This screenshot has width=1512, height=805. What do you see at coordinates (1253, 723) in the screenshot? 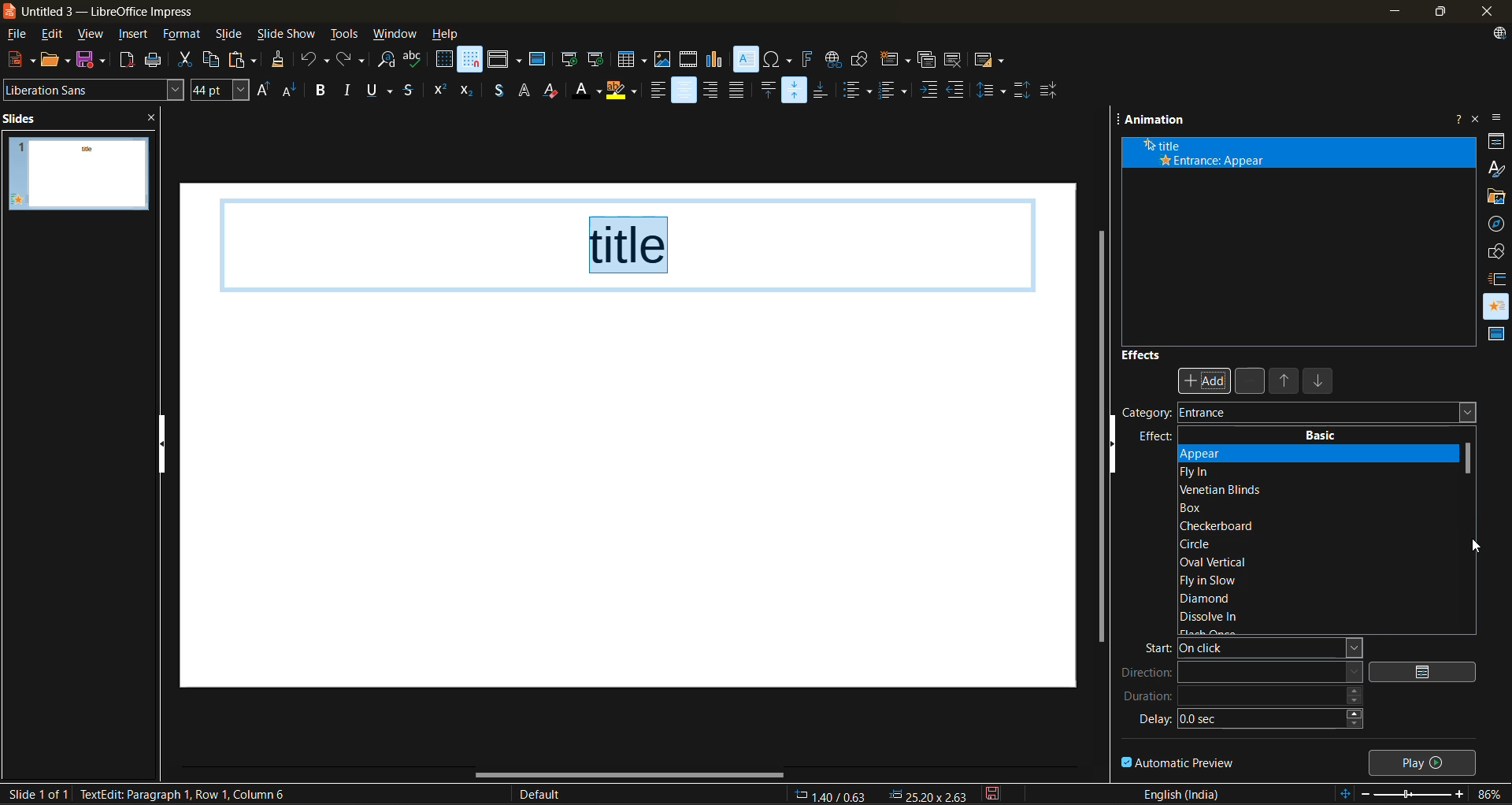
I see `delay` at bounding box center [1253, 723].